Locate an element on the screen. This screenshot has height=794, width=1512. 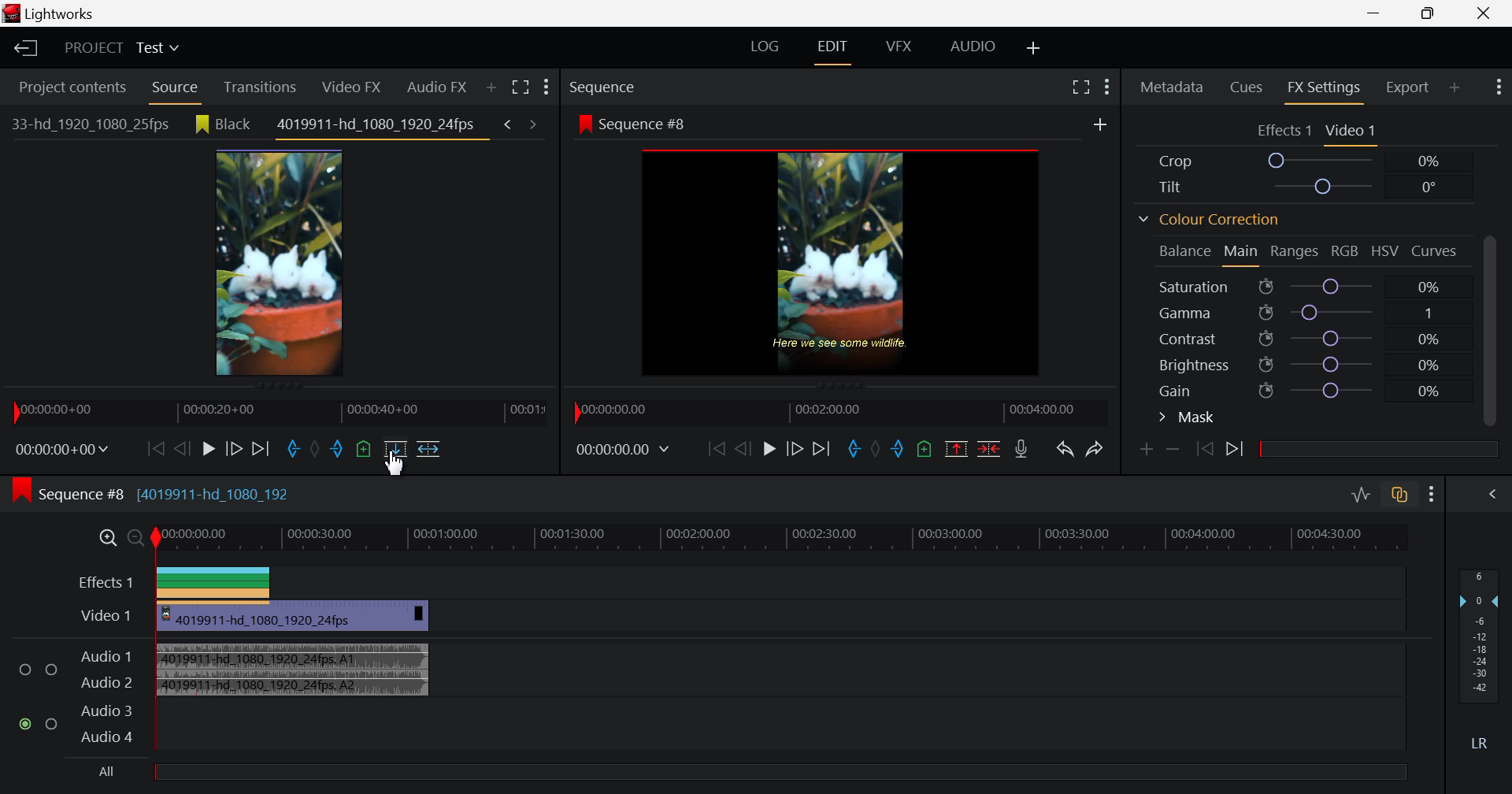
Search is located at coordinates (493, 86).